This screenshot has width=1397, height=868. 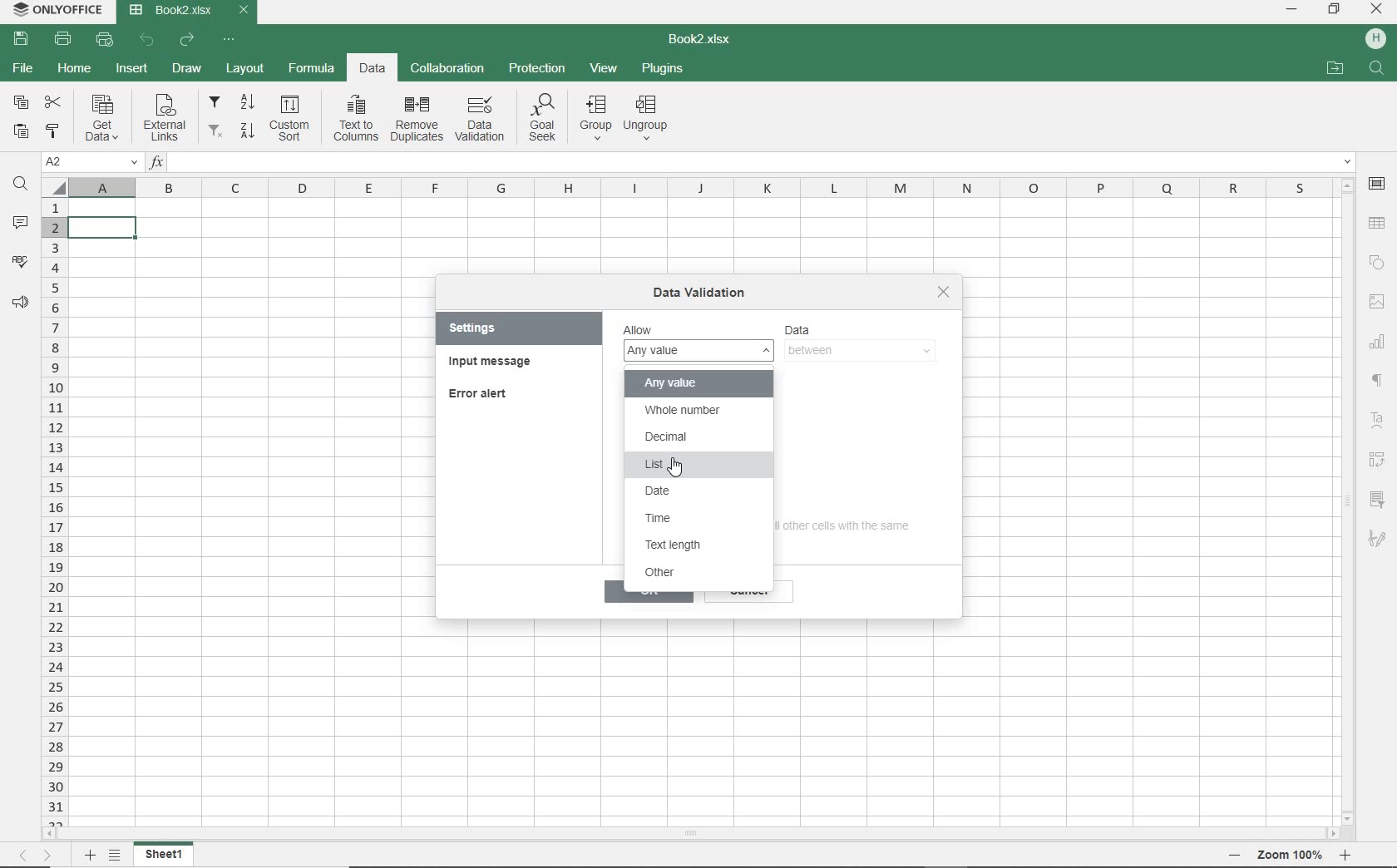 I want to click on UNDO, so click(x=146, y=40).